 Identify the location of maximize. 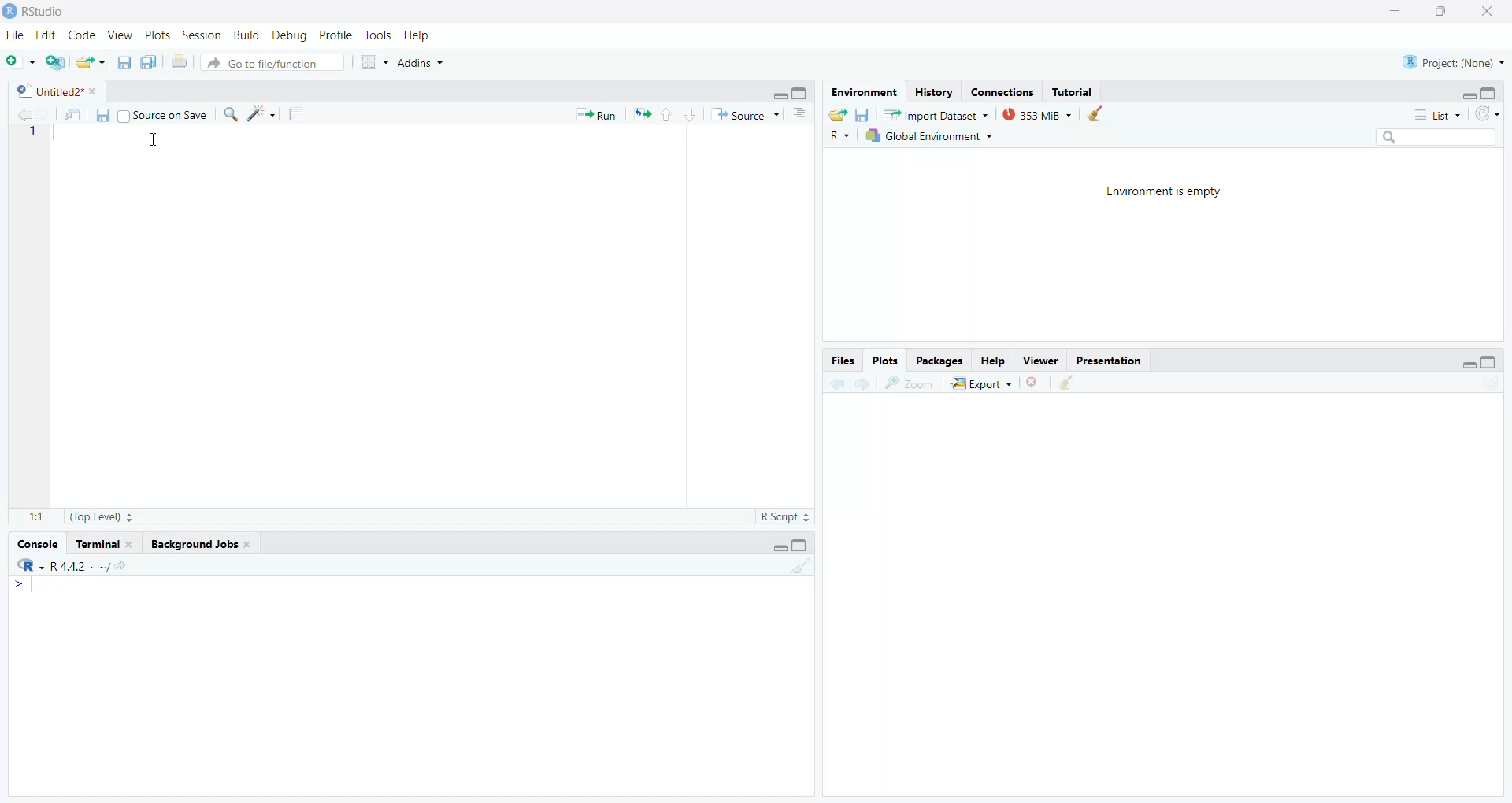
(1436, 11).